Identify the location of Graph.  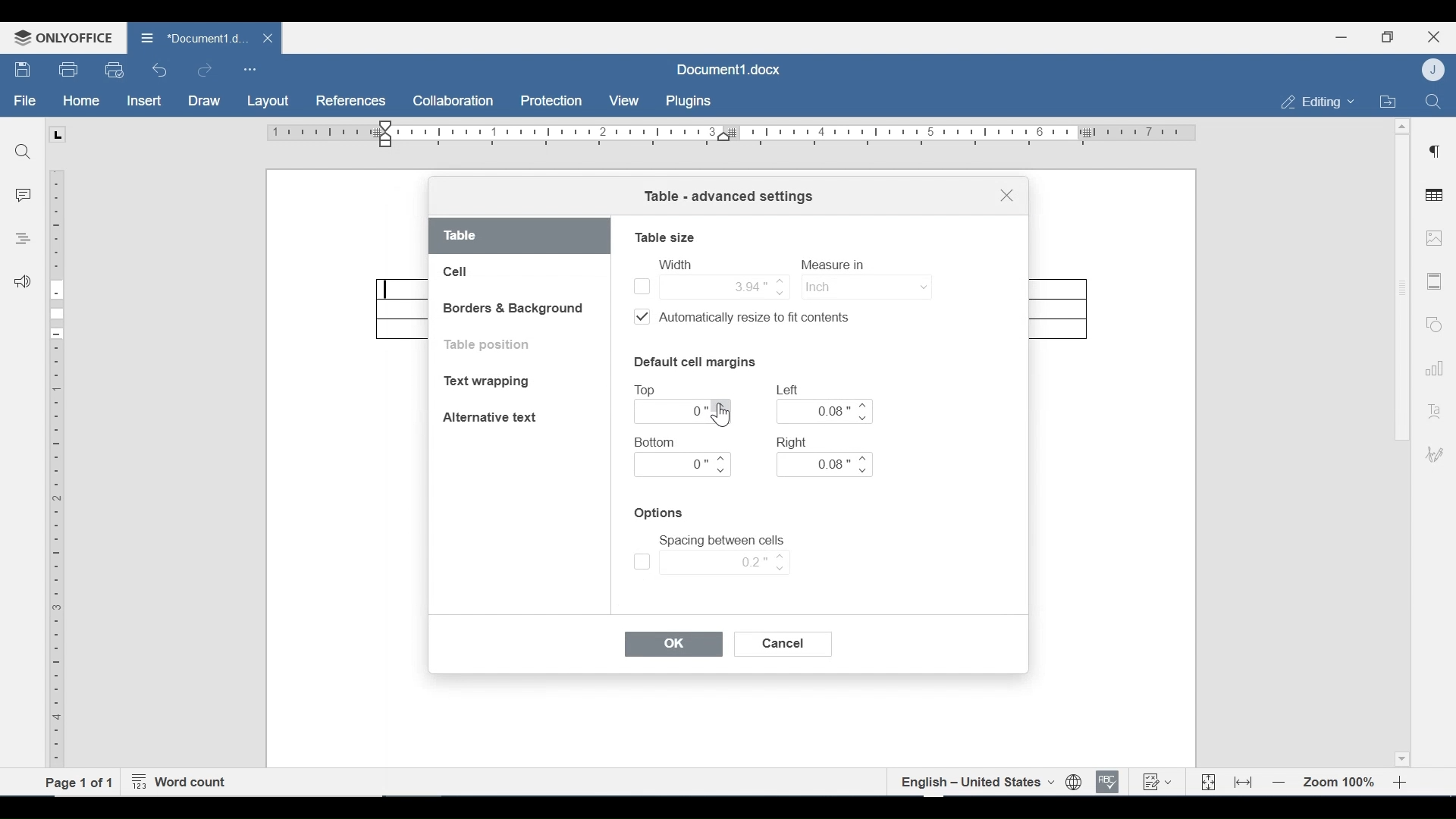
(1431, 366).